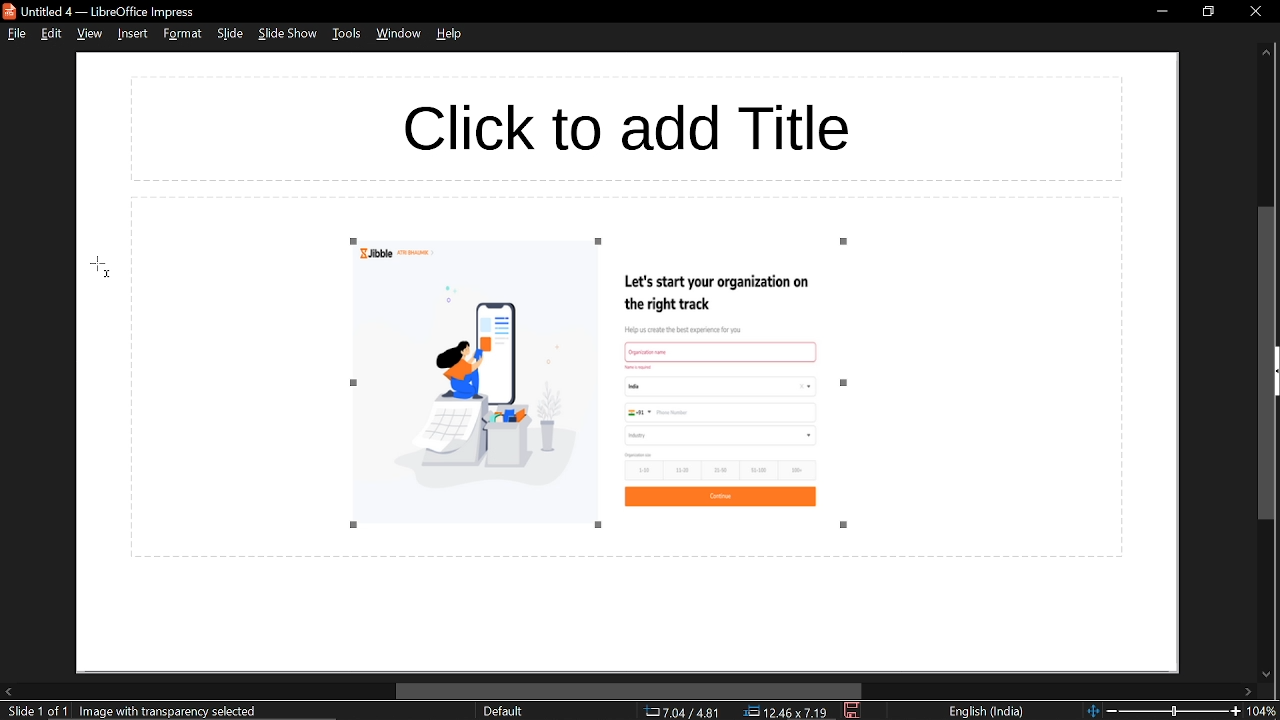 Image resolution: width=1280 pixels, height=720 pixels. I want to click on cursor, so click(101, 265).